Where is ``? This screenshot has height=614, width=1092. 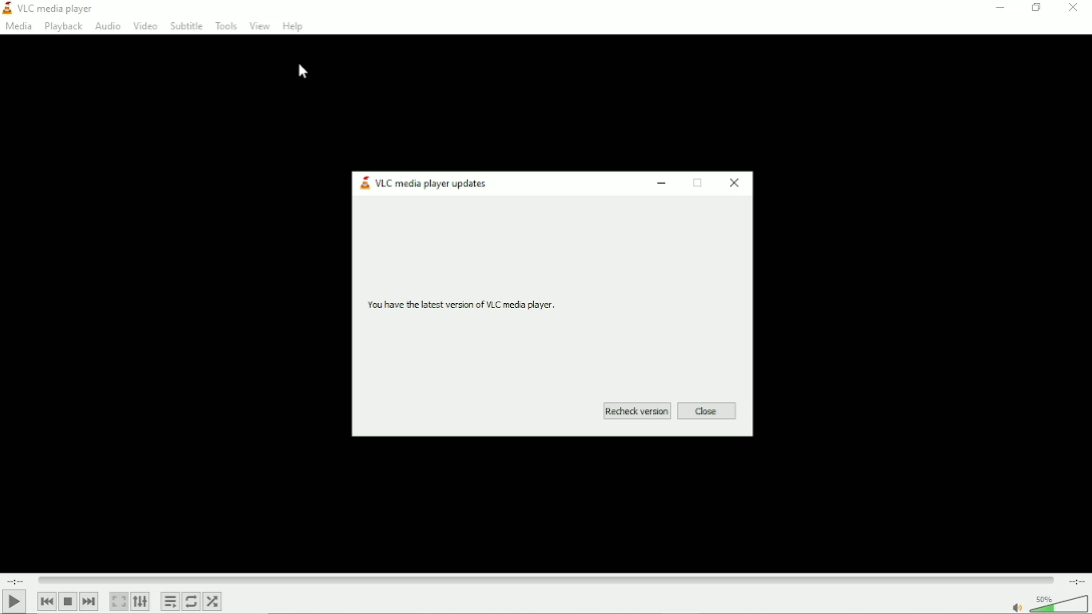
 is located at coordinates (8, 9).